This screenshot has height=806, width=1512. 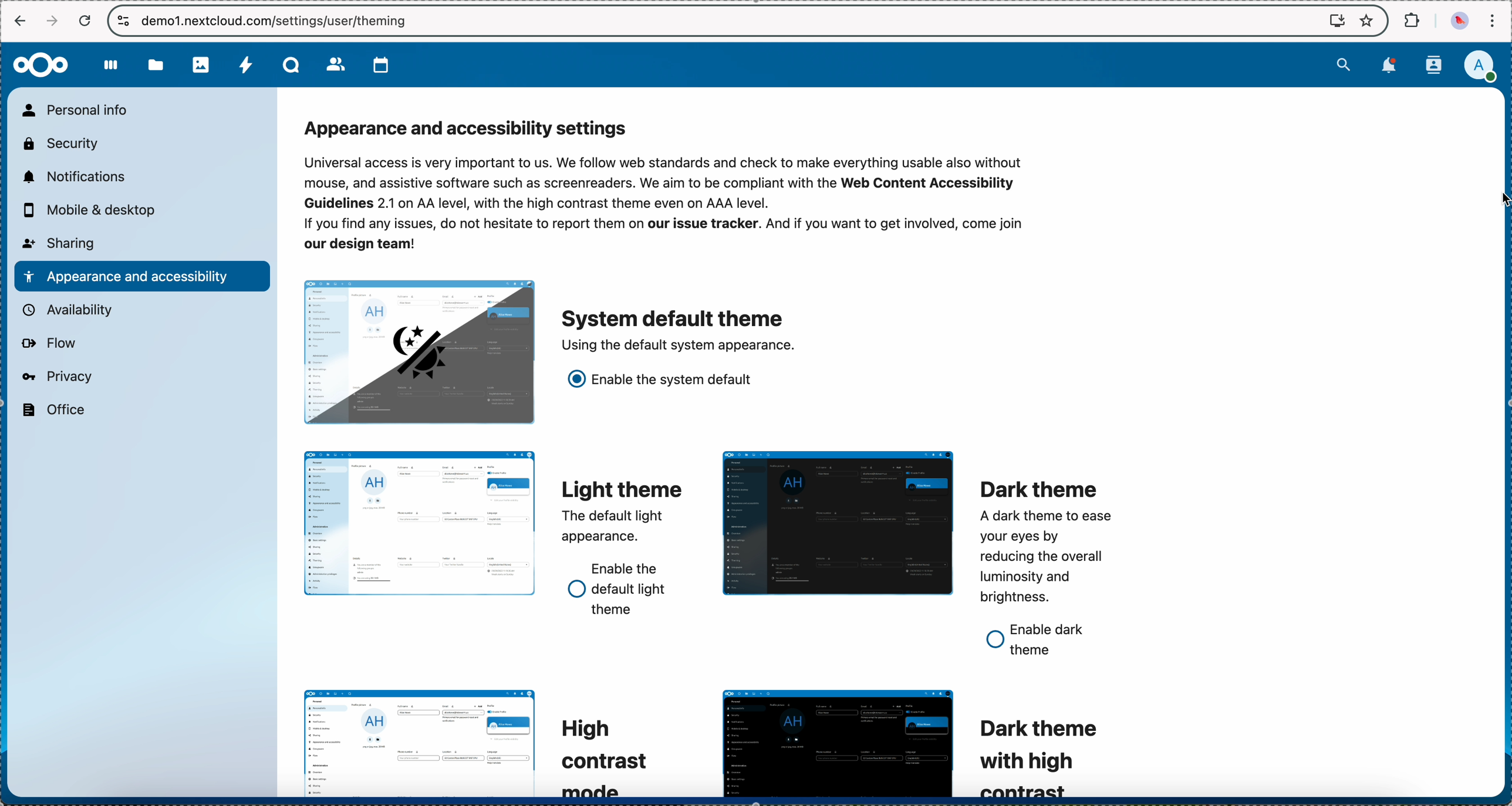 What do you see at coordinates (157, 69) in the screenshot?
I see `files` at bounding box center [157, 69].